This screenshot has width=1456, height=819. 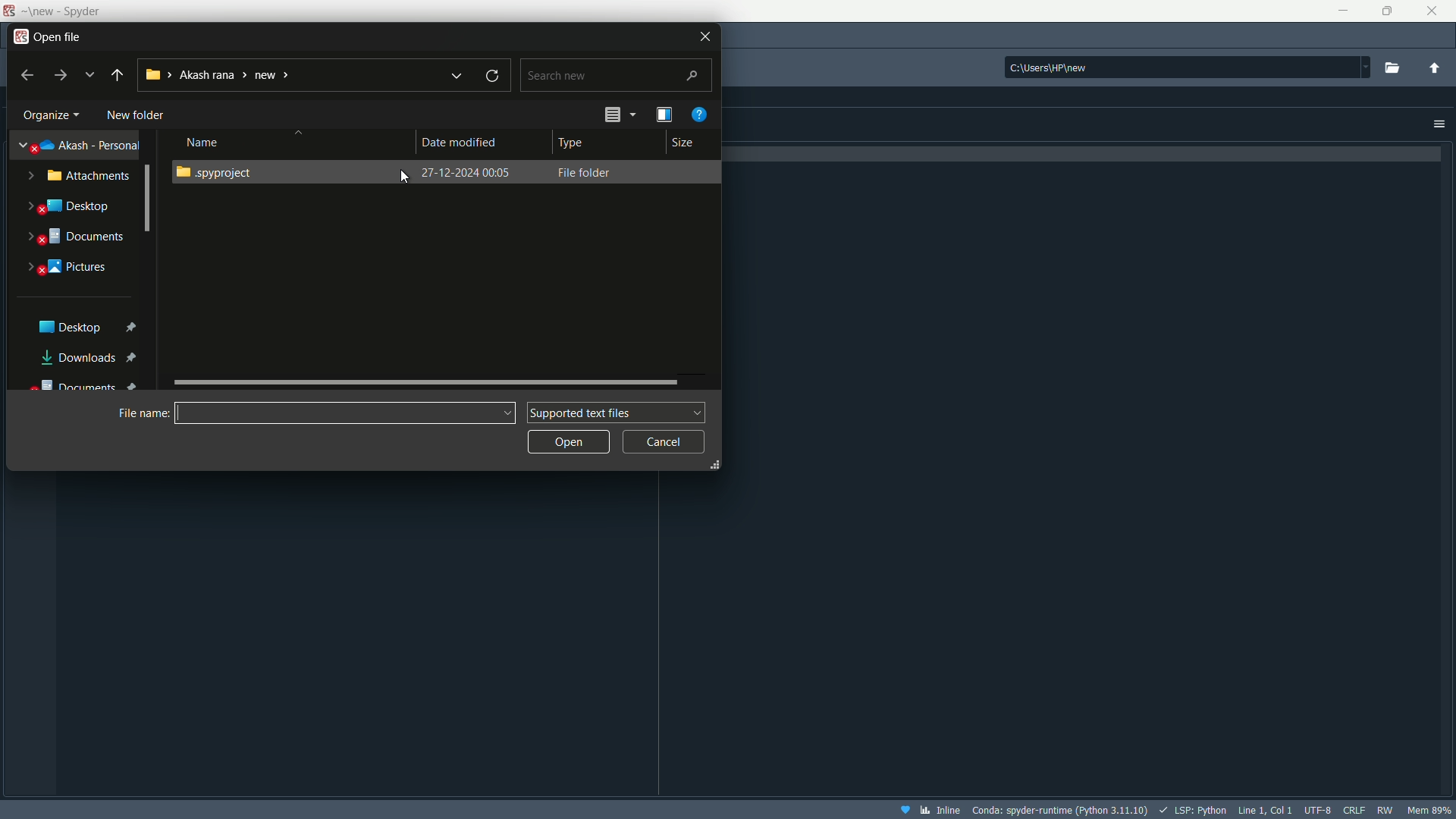 I want to click on File folder, so click(x=444, y=174).